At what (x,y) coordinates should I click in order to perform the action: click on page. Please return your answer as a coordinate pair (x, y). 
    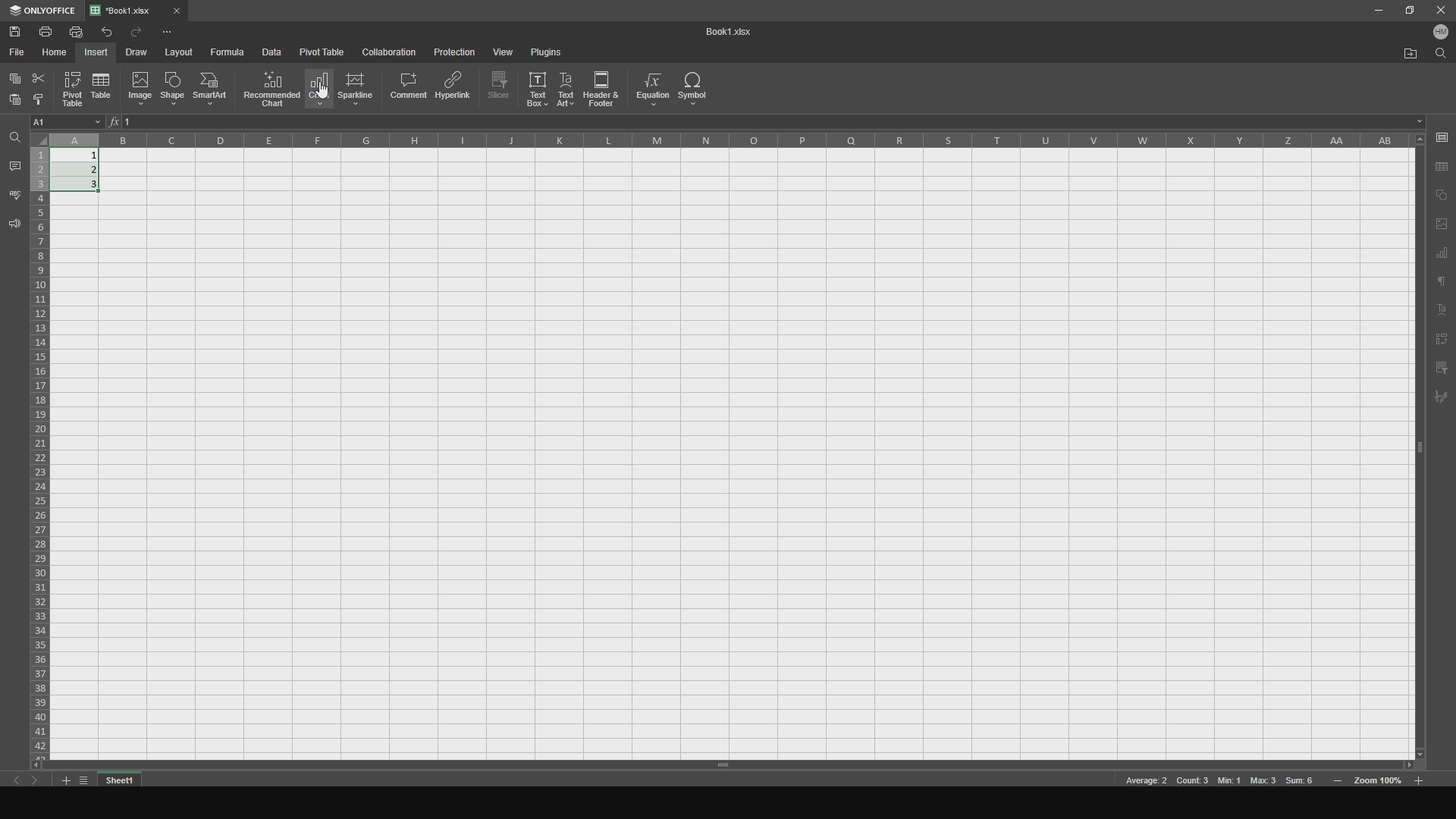
    Looking at the image, I should click on (1442, 224).